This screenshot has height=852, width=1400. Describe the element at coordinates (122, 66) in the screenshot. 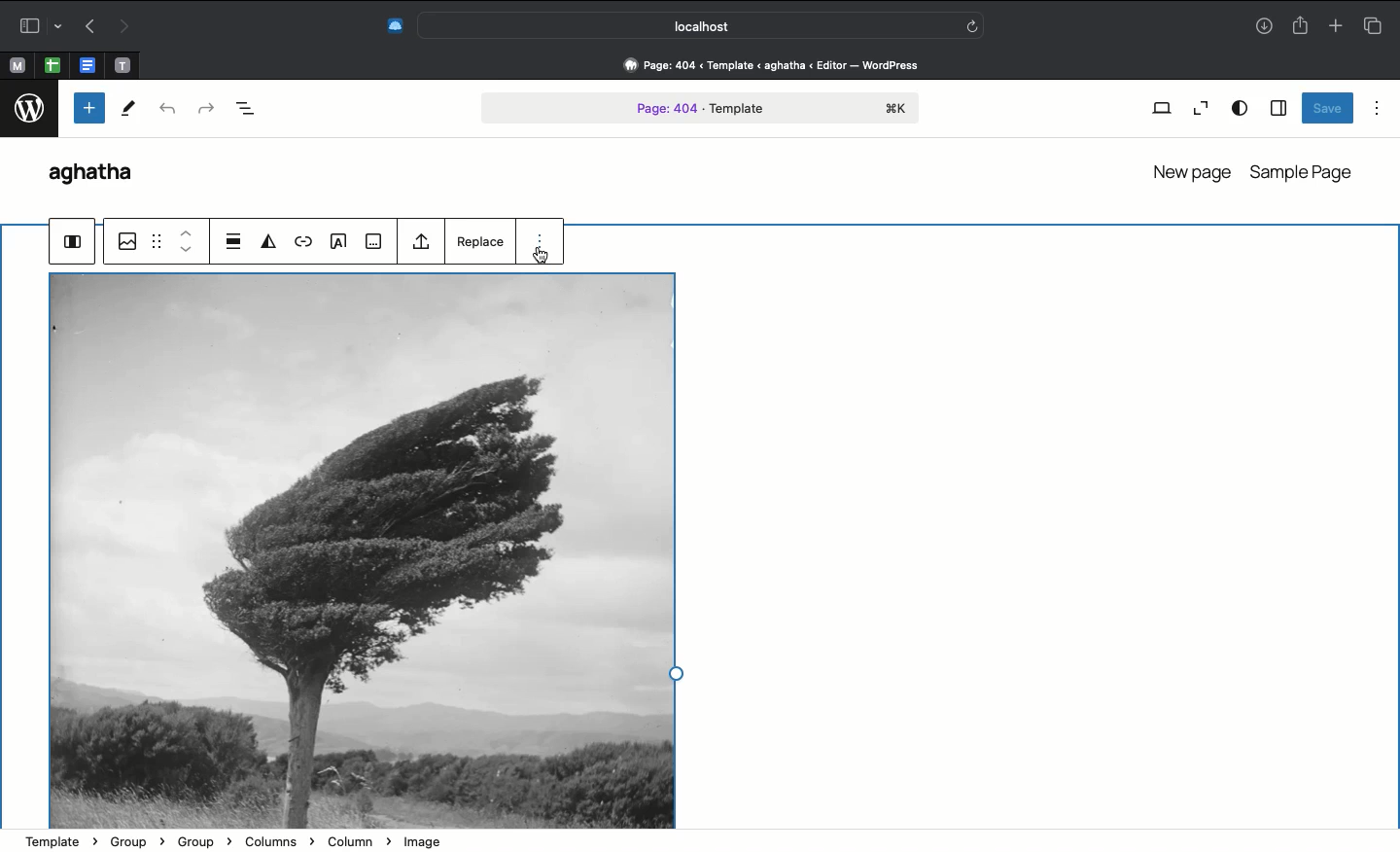

I see `open tab` at that location.